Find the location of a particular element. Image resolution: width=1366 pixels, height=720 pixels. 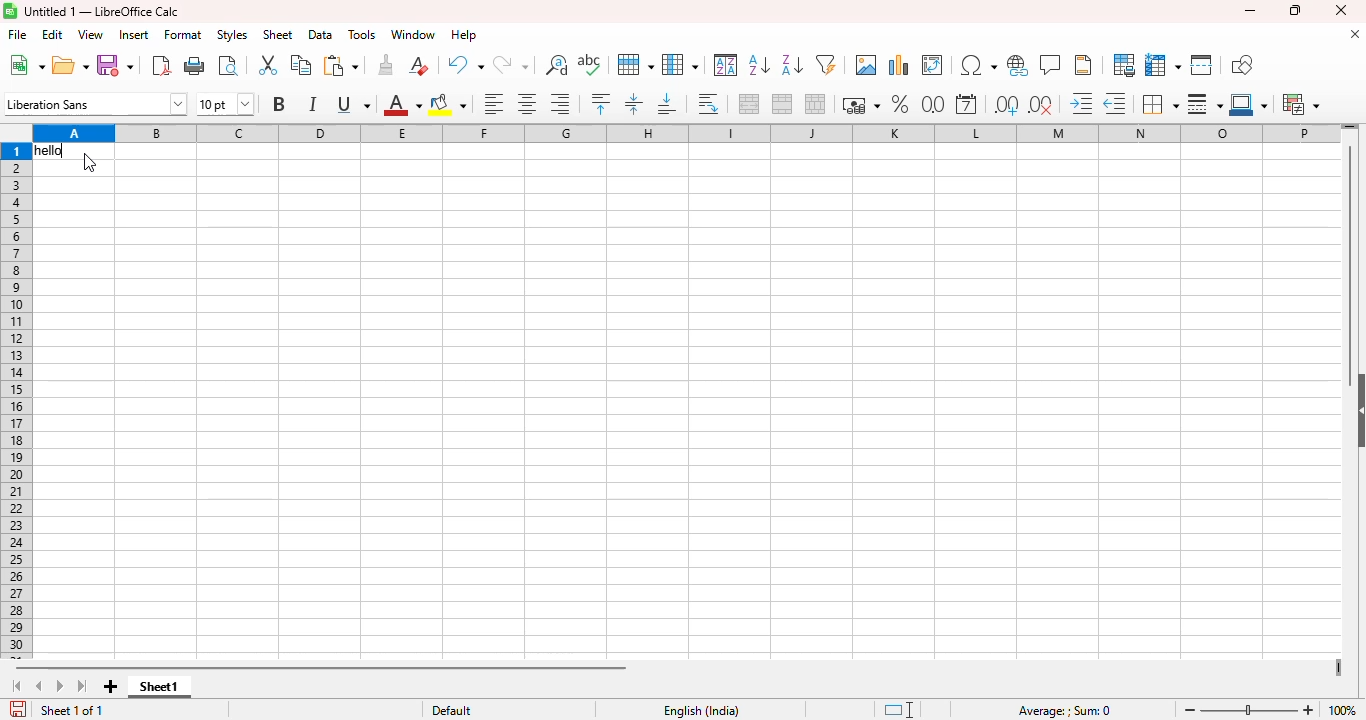

logo is located at coordinates (10, 11).